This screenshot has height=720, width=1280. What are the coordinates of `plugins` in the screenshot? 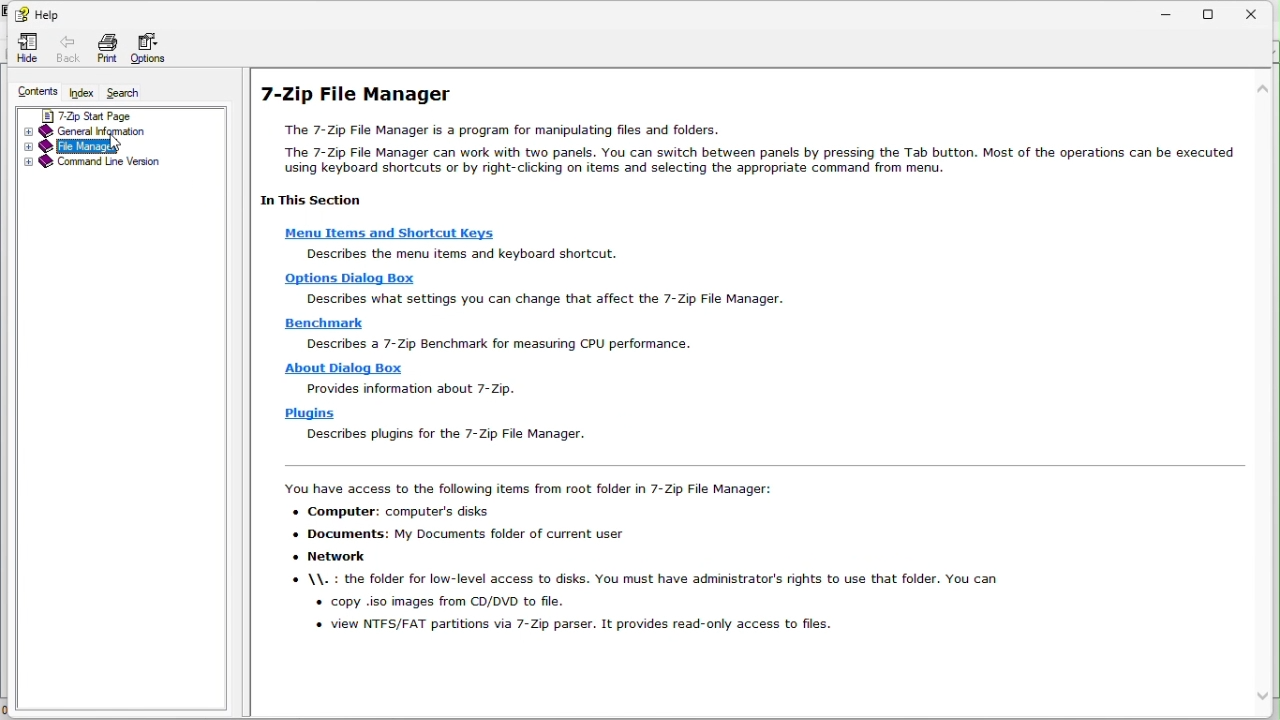 It's located at (309, 413).